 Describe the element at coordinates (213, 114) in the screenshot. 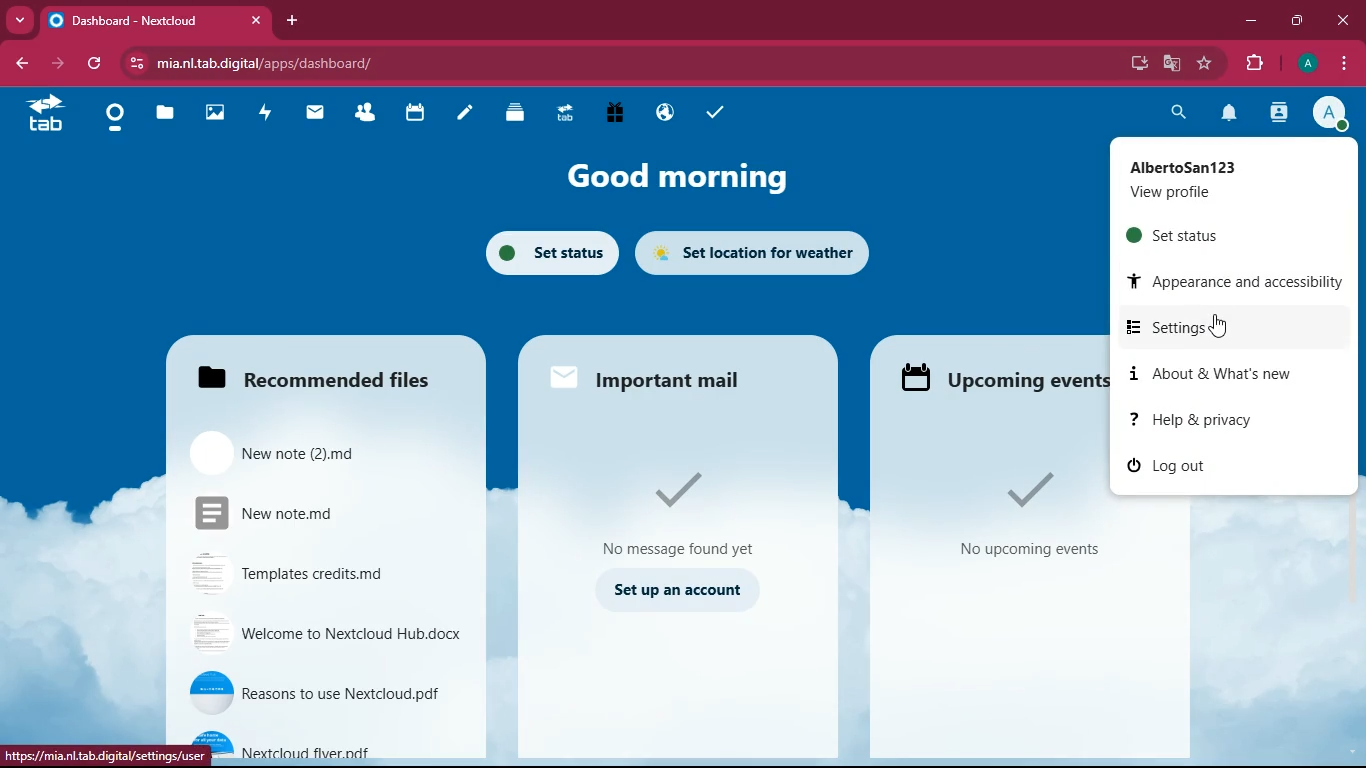

I see `images` at that location.